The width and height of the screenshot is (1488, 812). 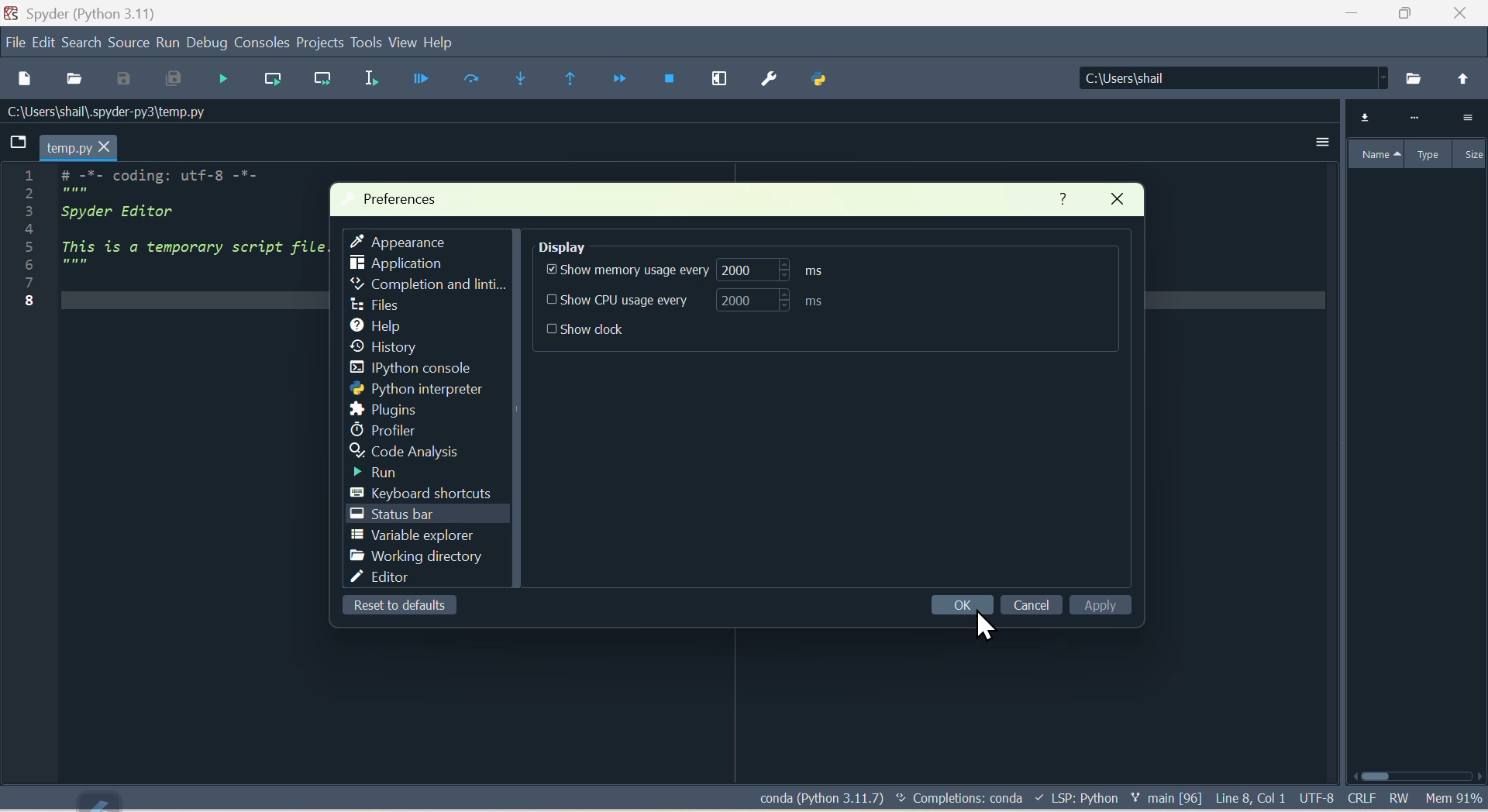 I want to click on Run, so click(x=372, y=471).